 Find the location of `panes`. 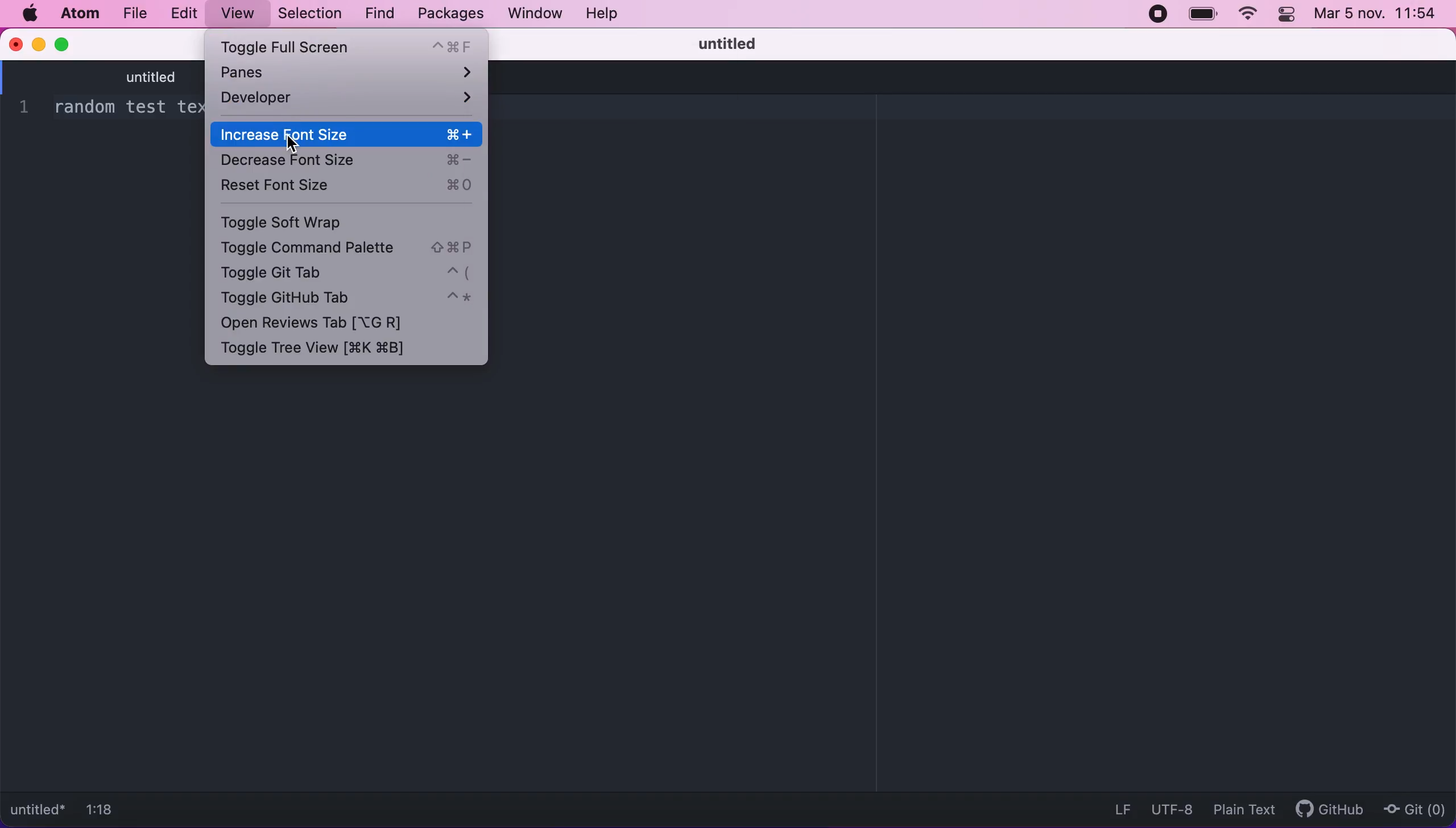

panes is located at coordinates (348, 74).